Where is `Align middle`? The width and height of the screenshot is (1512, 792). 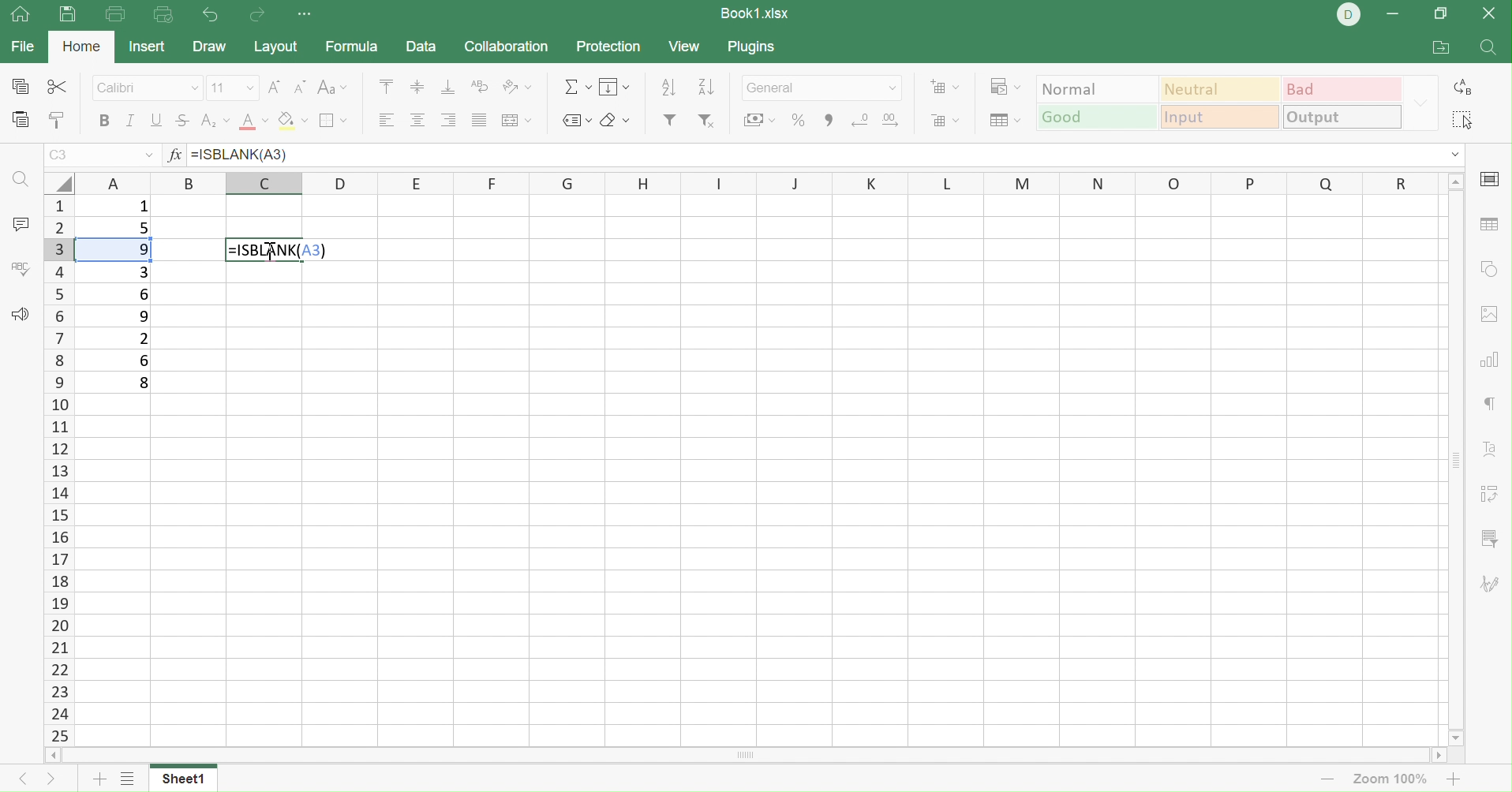
Align middle is located at coordinates (421, 121).